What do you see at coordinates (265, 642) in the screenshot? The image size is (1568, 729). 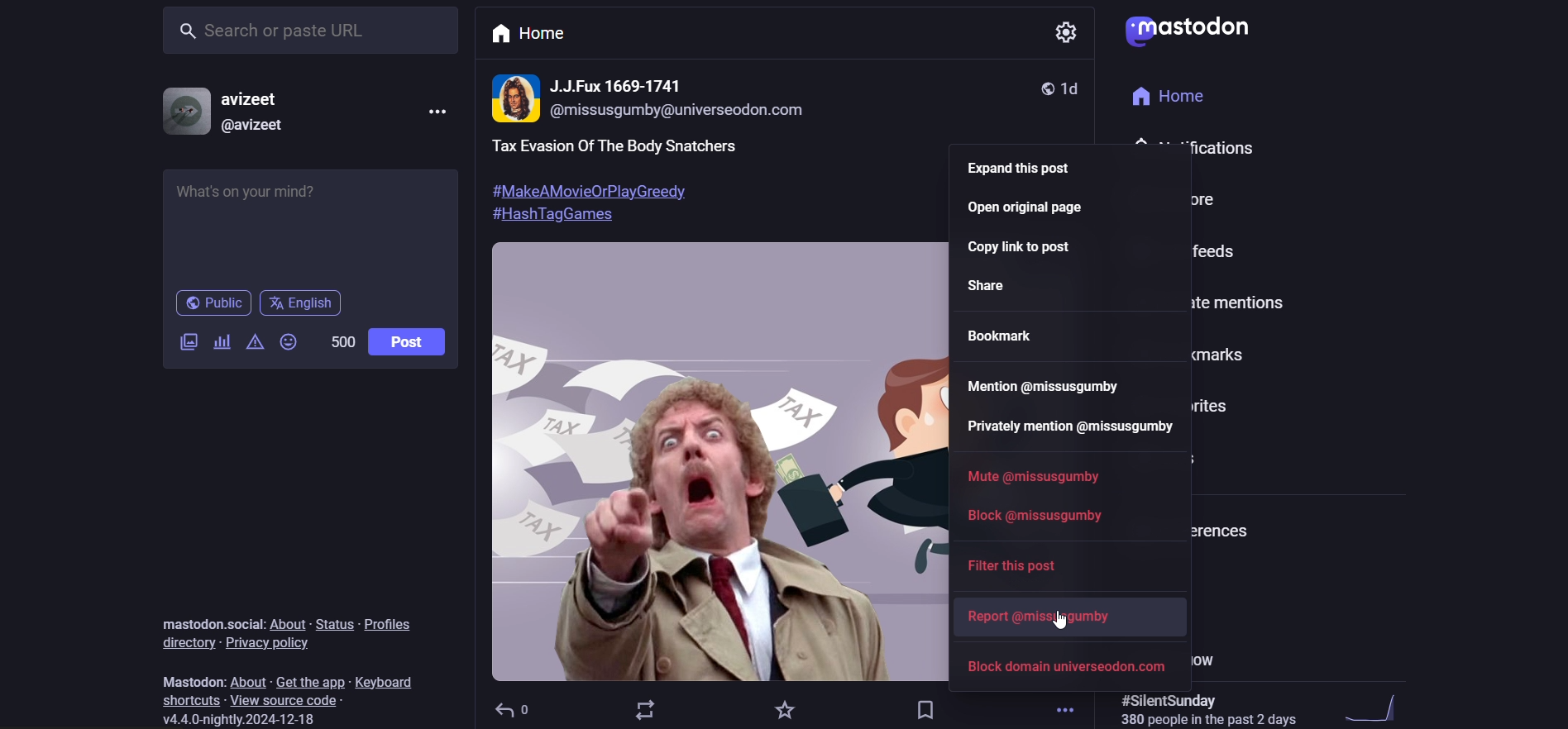 I see `privacy policy` at bounding box center [265, 642].